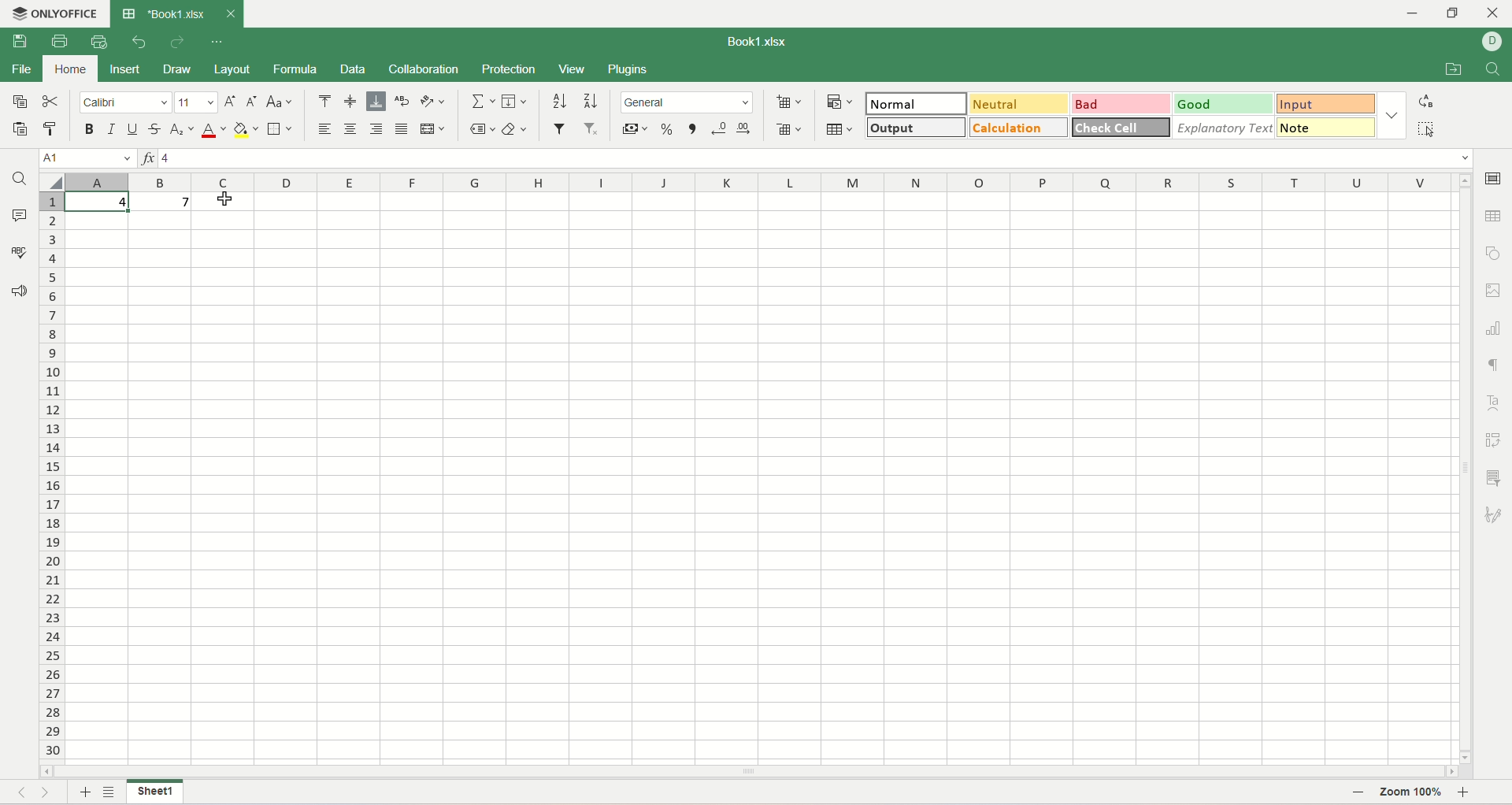 Image resolution: width=1512 pixels, height=805 pixels. I want to click on increase size, so click(232, 102).